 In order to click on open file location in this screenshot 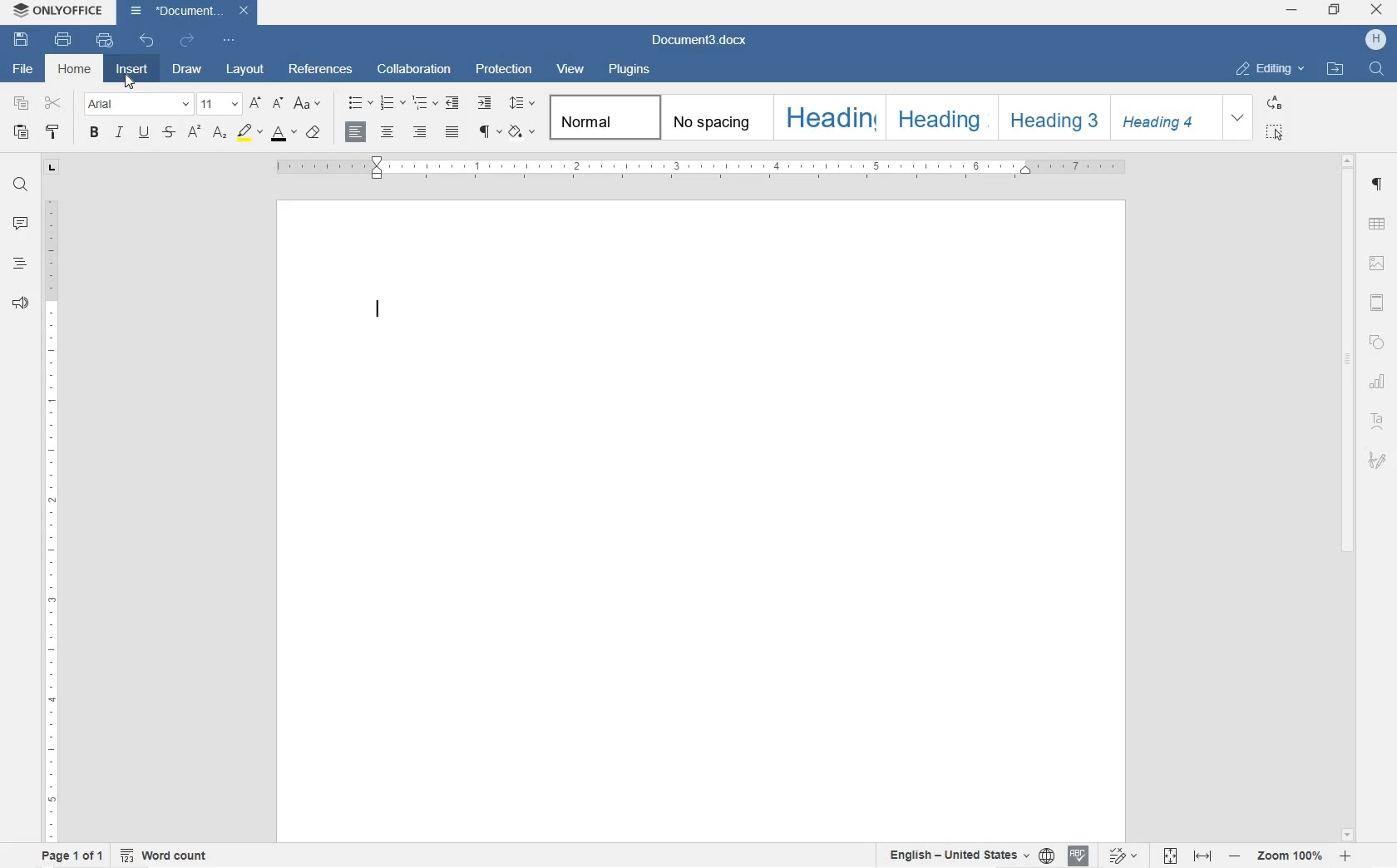, I will do `click(1335, 70)`.